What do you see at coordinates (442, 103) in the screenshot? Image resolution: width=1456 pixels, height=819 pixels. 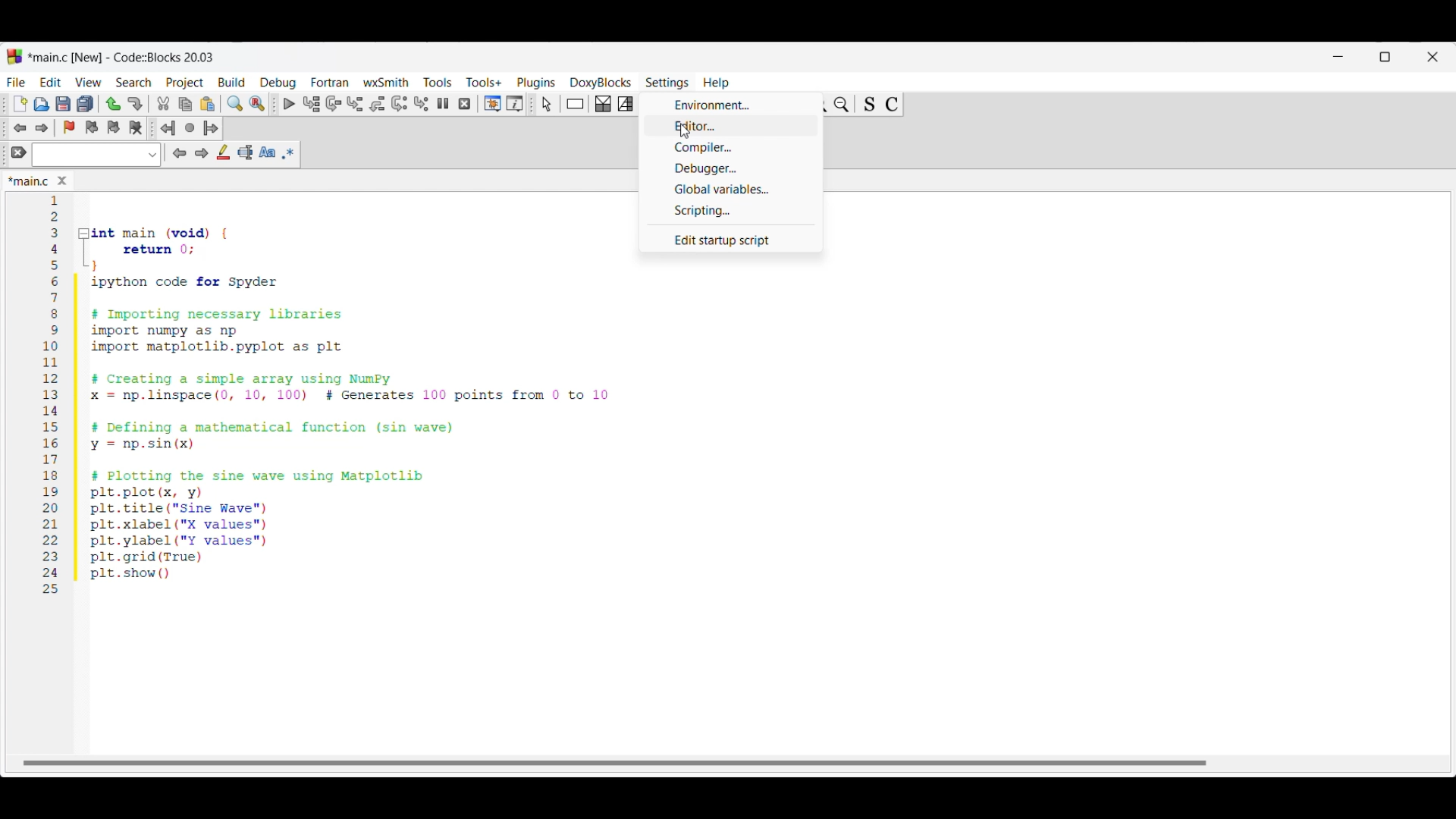 I see `Break debugger` at bounding box center [442, 103].